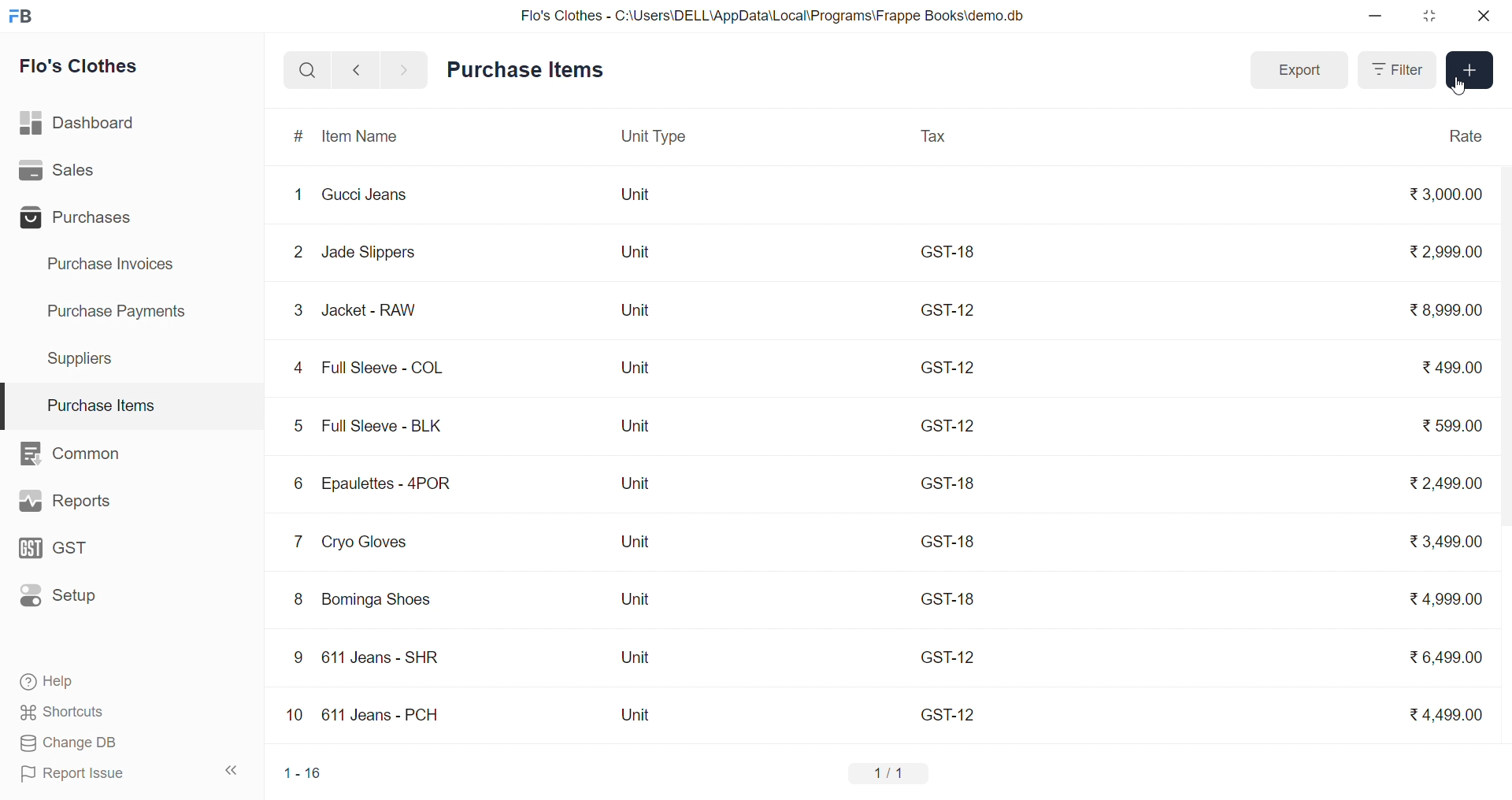 The width and height of the screenshot is (1512, 800). Describe the element at coordinates (1445, 250) in the screenshot. I see `₹2,999.00` at that location.